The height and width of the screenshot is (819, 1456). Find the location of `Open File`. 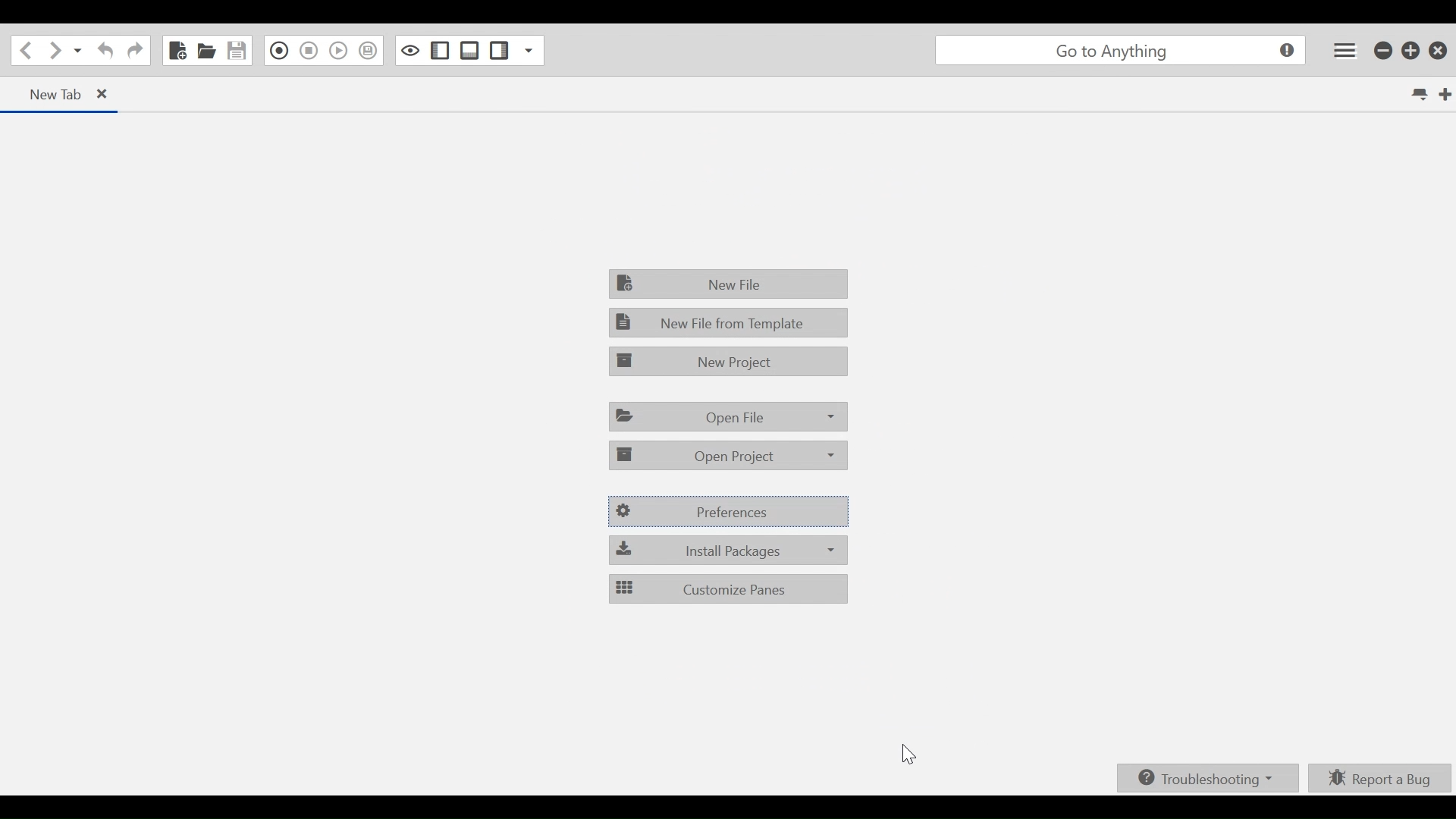

Open File is located at coordinates (729, 416).